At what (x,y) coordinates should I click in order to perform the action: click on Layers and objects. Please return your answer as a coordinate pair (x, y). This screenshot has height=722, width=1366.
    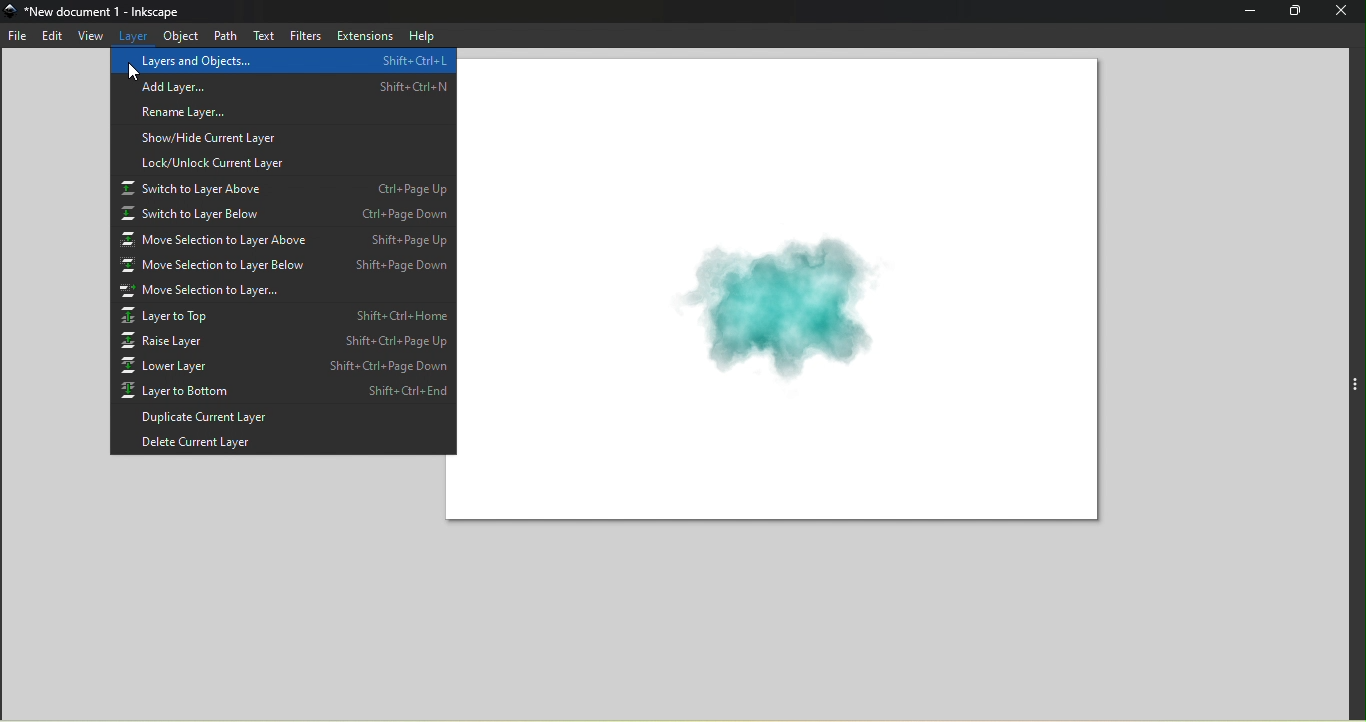
    Looking at the image, I should click on (281, 61).